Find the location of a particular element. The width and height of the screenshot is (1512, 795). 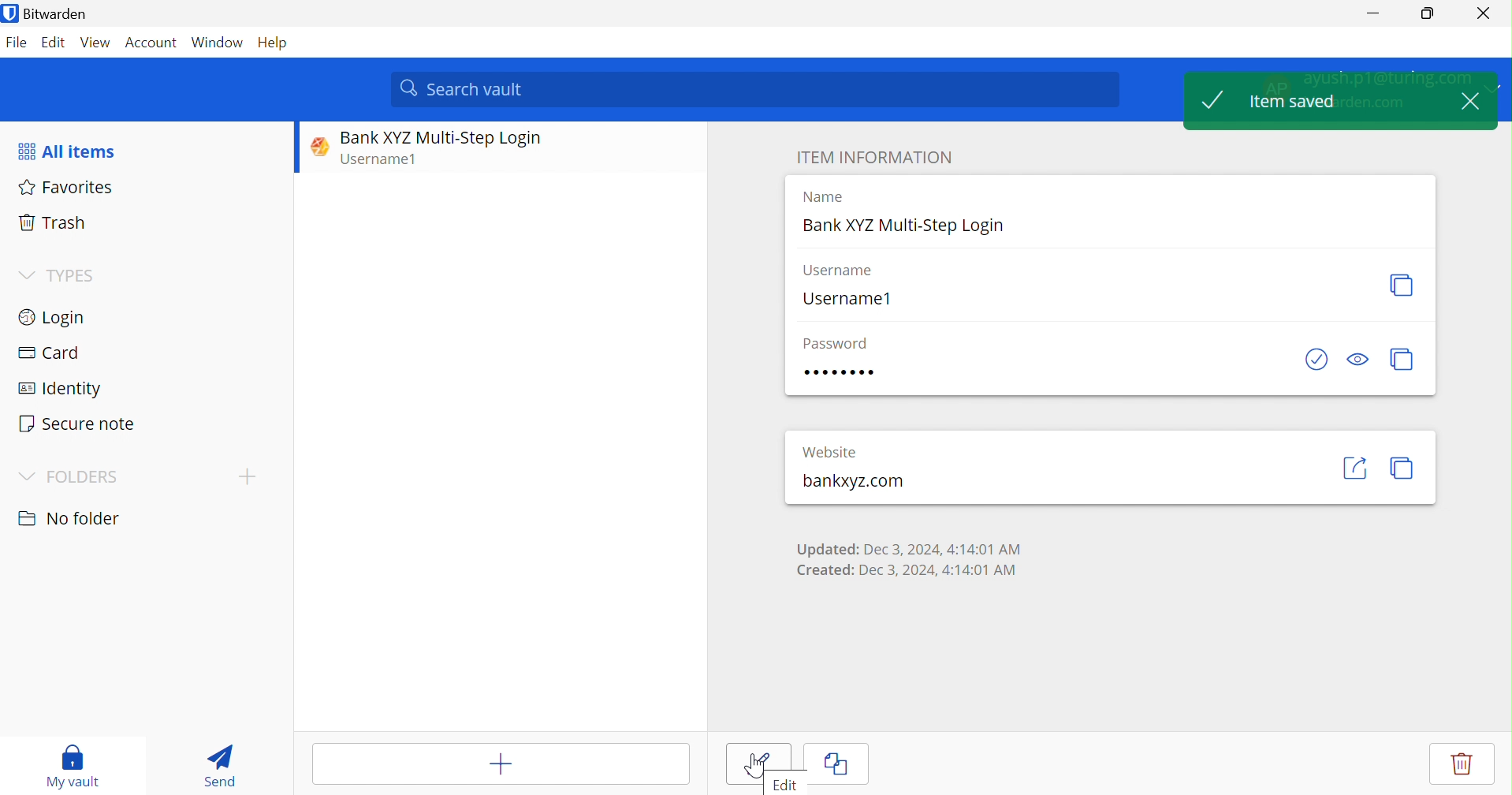

Send is located at coordinates (220, 765).